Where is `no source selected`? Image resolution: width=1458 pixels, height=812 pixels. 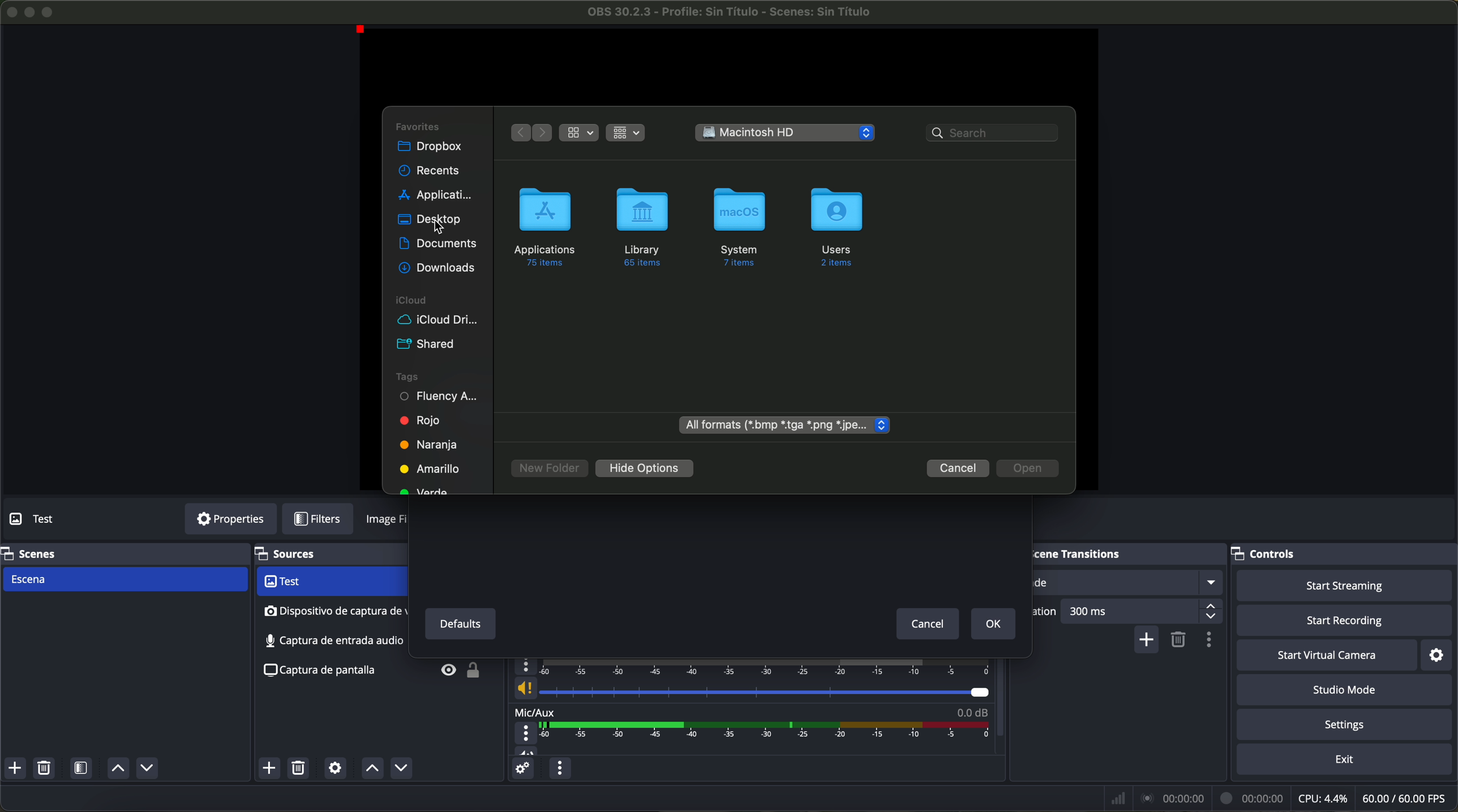
no source selected is located at coordinates (59, 518).